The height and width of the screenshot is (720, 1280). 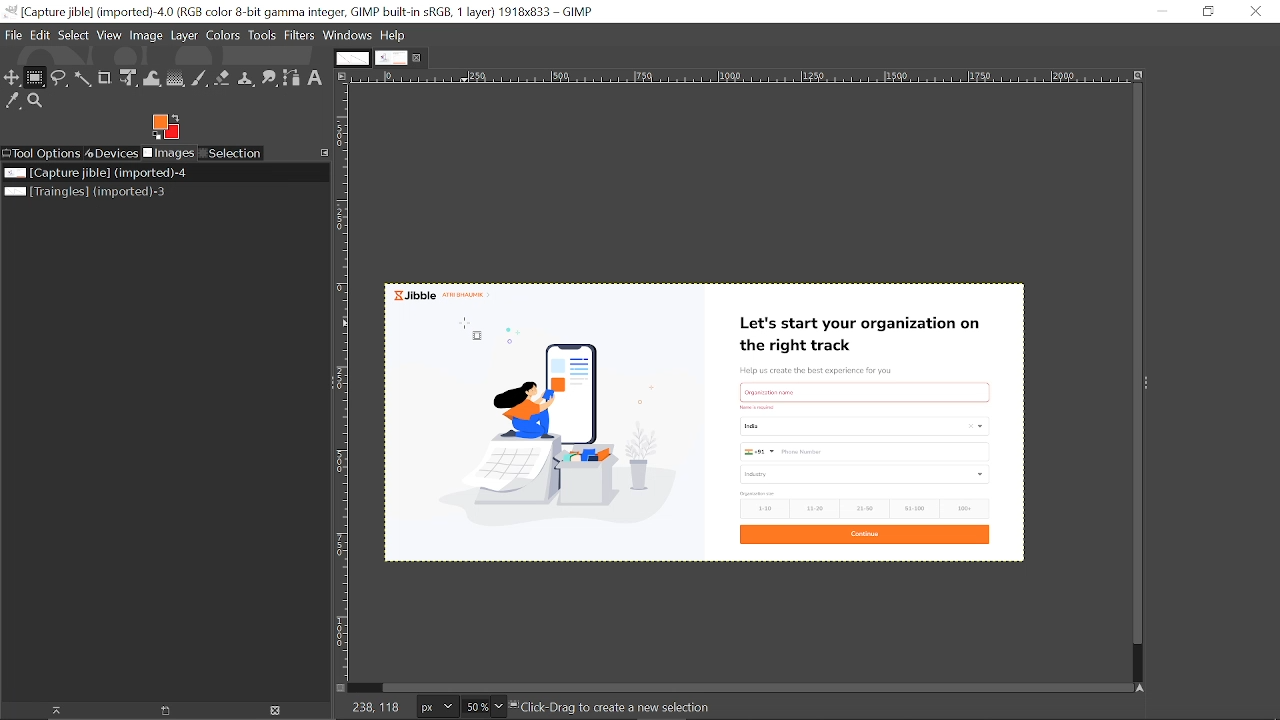 What do you see at coordinates (165, 127) in the screenshot?
I see `The active foreground color` at bounding box center [165, 127].